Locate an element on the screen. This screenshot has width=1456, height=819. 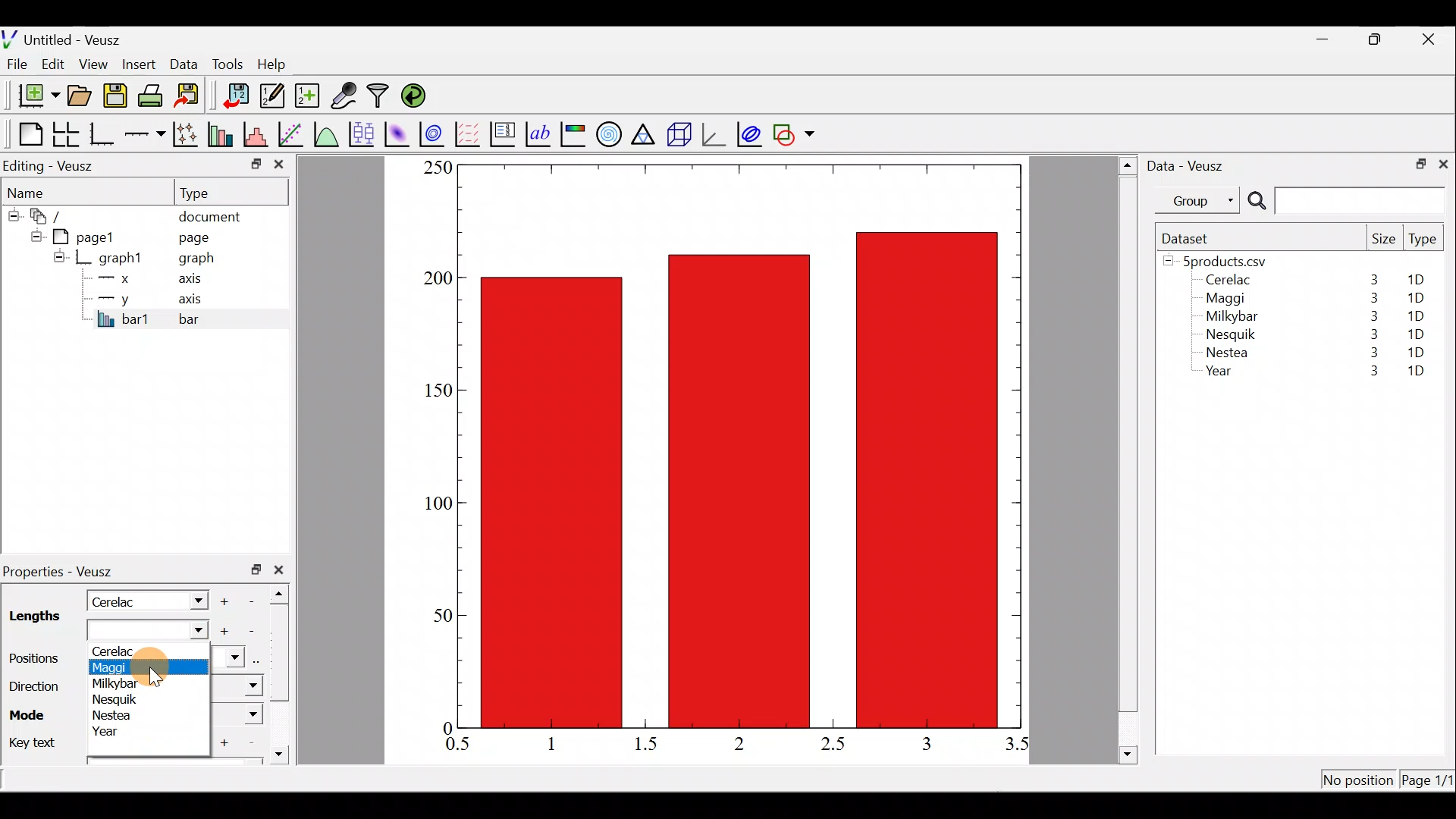
250 is located at coordinates (437, 167).